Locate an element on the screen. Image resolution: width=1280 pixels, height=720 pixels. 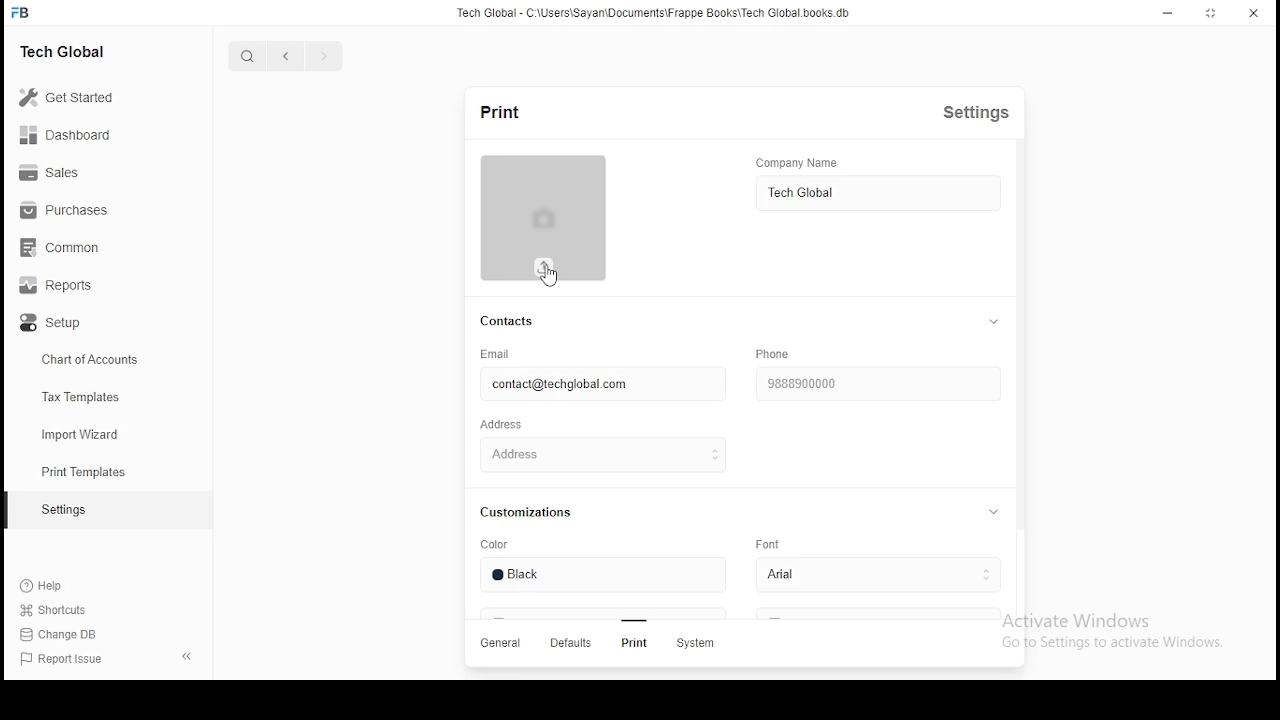
EMAIL INPUT BOX is located at coordinates (596, 384).